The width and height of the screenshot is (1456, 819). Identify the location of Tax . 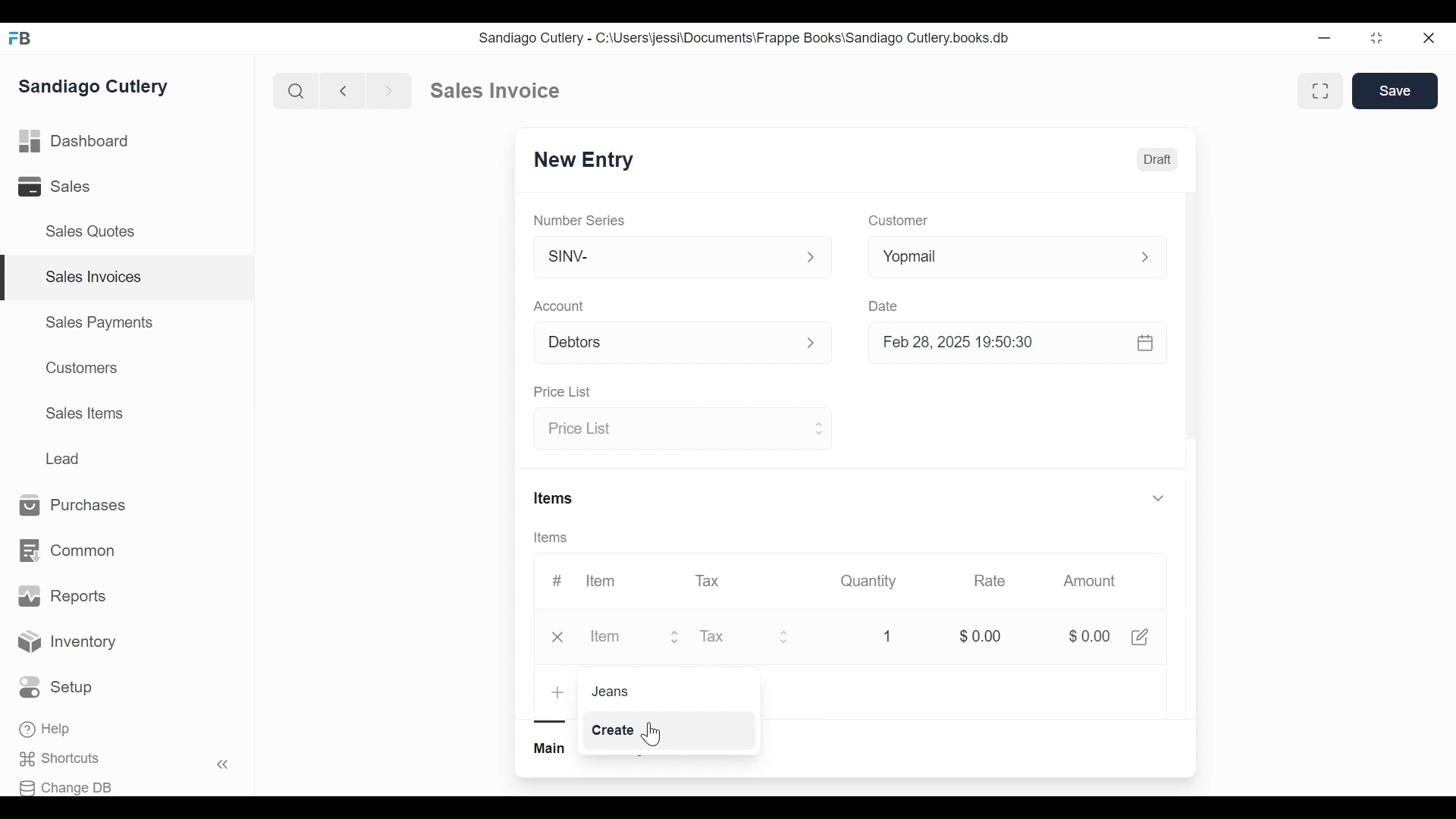
(745, 639).